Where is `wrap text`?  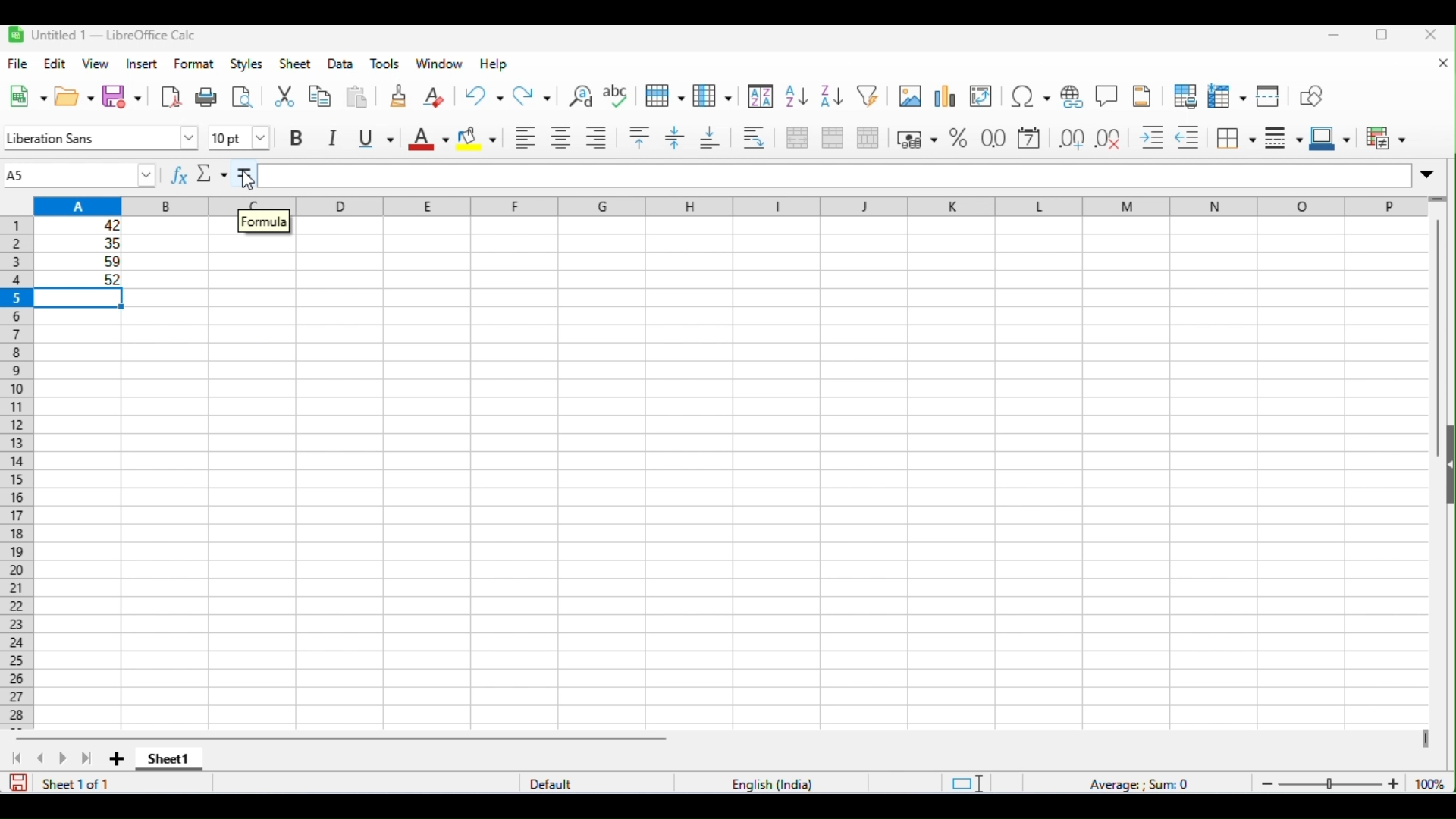 wrap text is located at coordinates (755, 137).